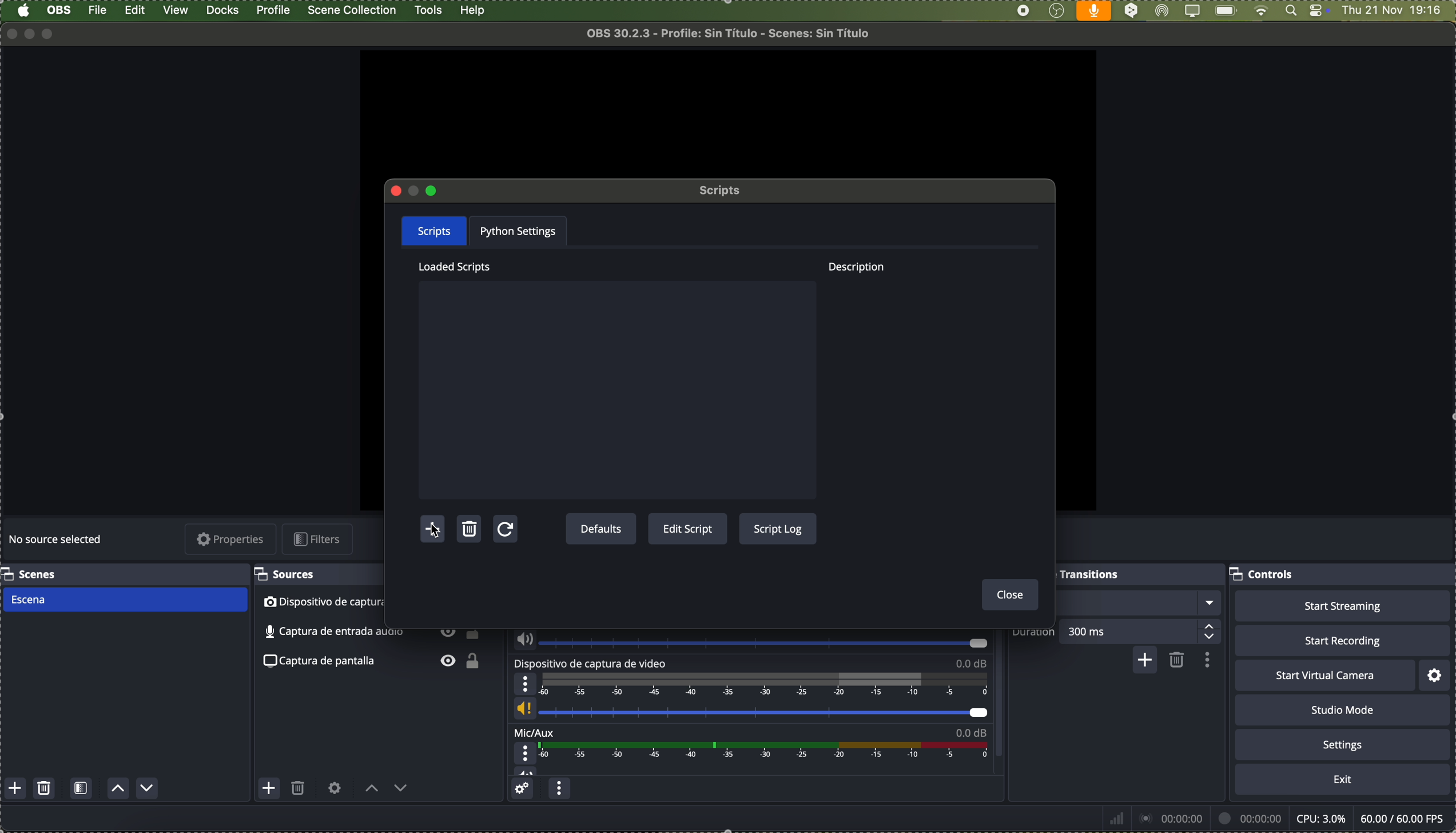 This screenshot has height=833, width=1456. Describe the element at coordinates (688, 530) in the screenshot. I see `edit script button` at that location.